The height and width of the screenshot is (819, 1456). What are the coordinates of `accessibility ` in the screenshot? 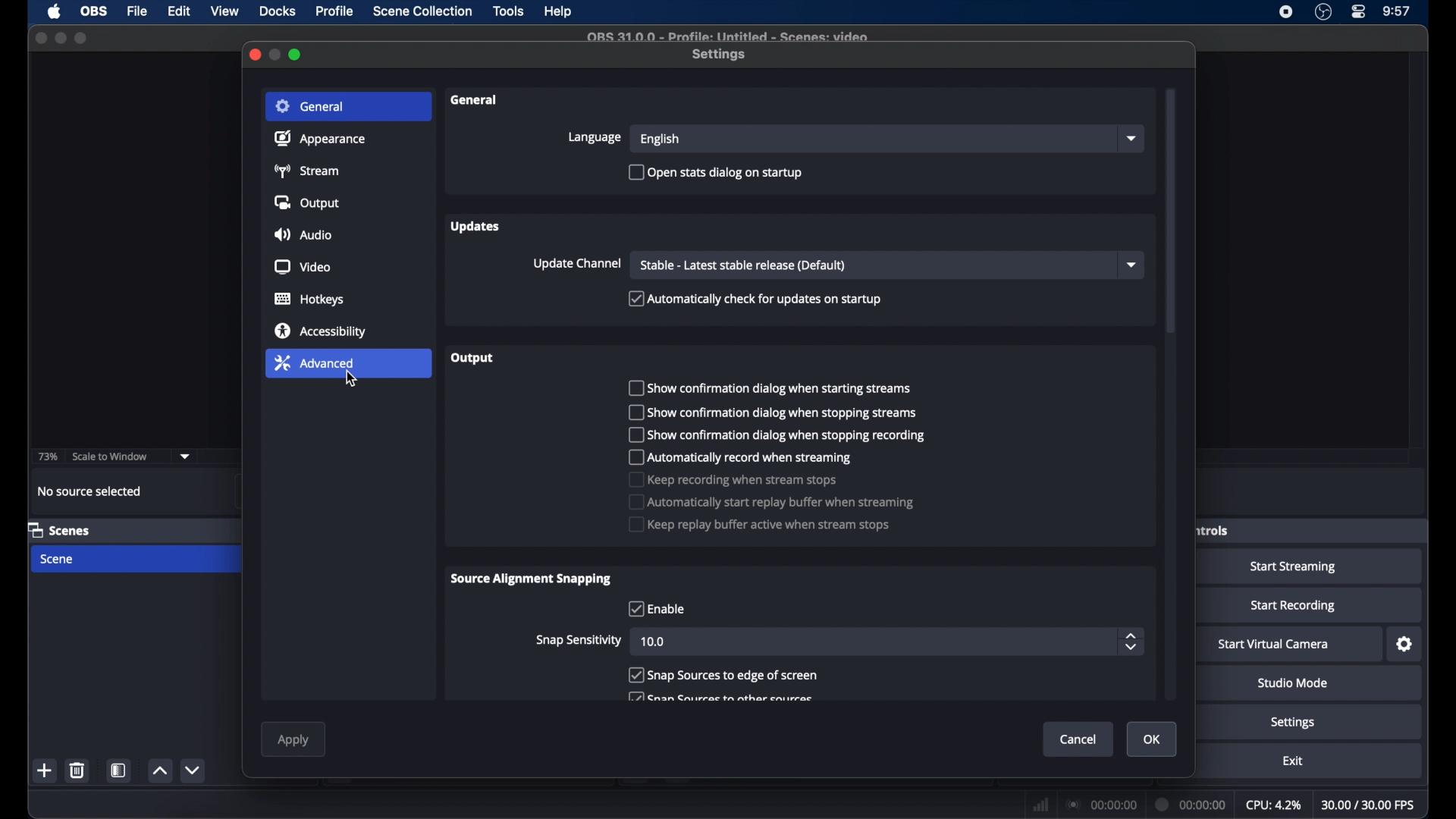 It's located at (322, 331).